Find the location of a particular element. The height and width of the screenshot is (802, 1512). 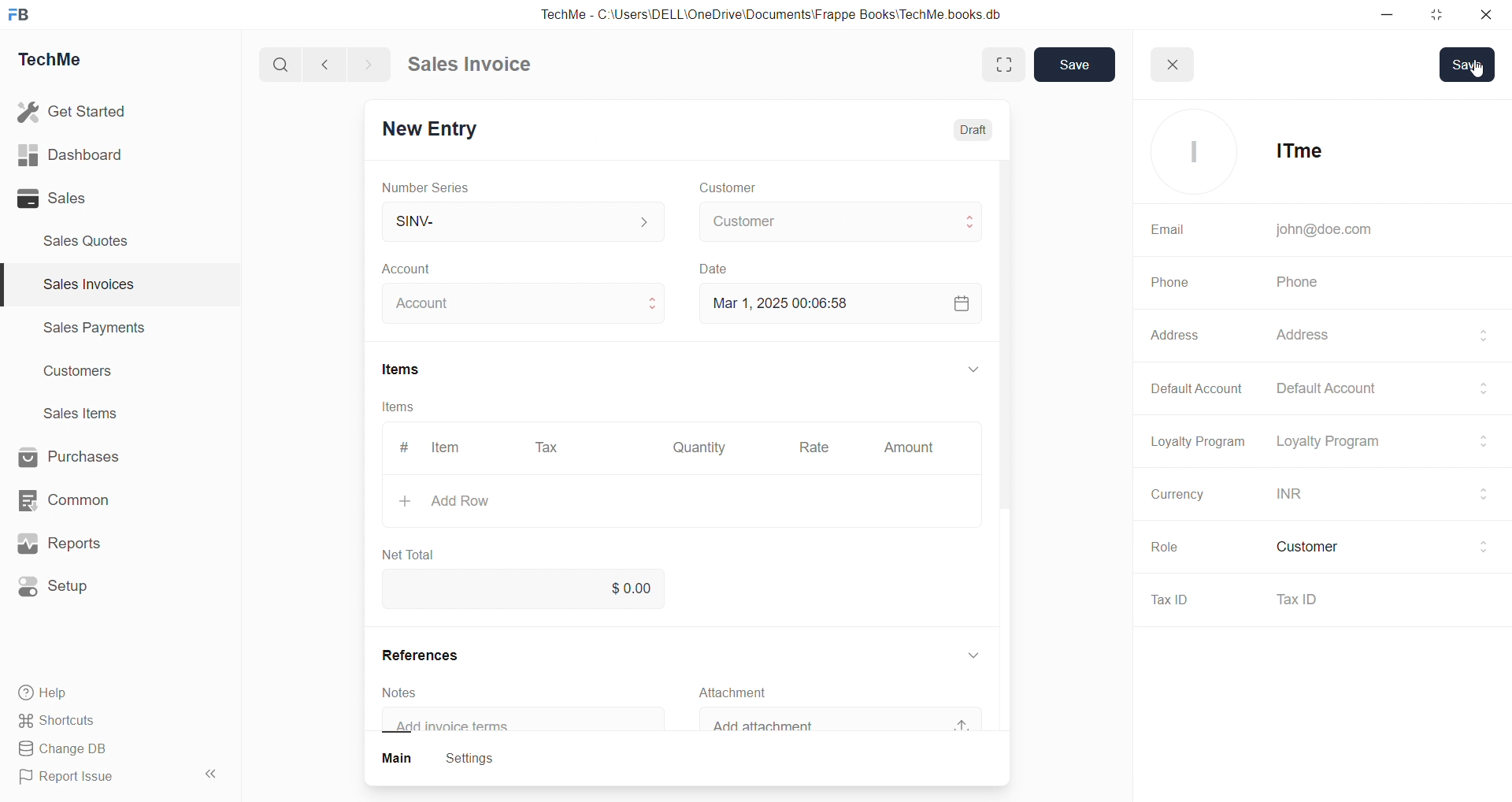

Dropdoe is located at coordinates (971, 654).